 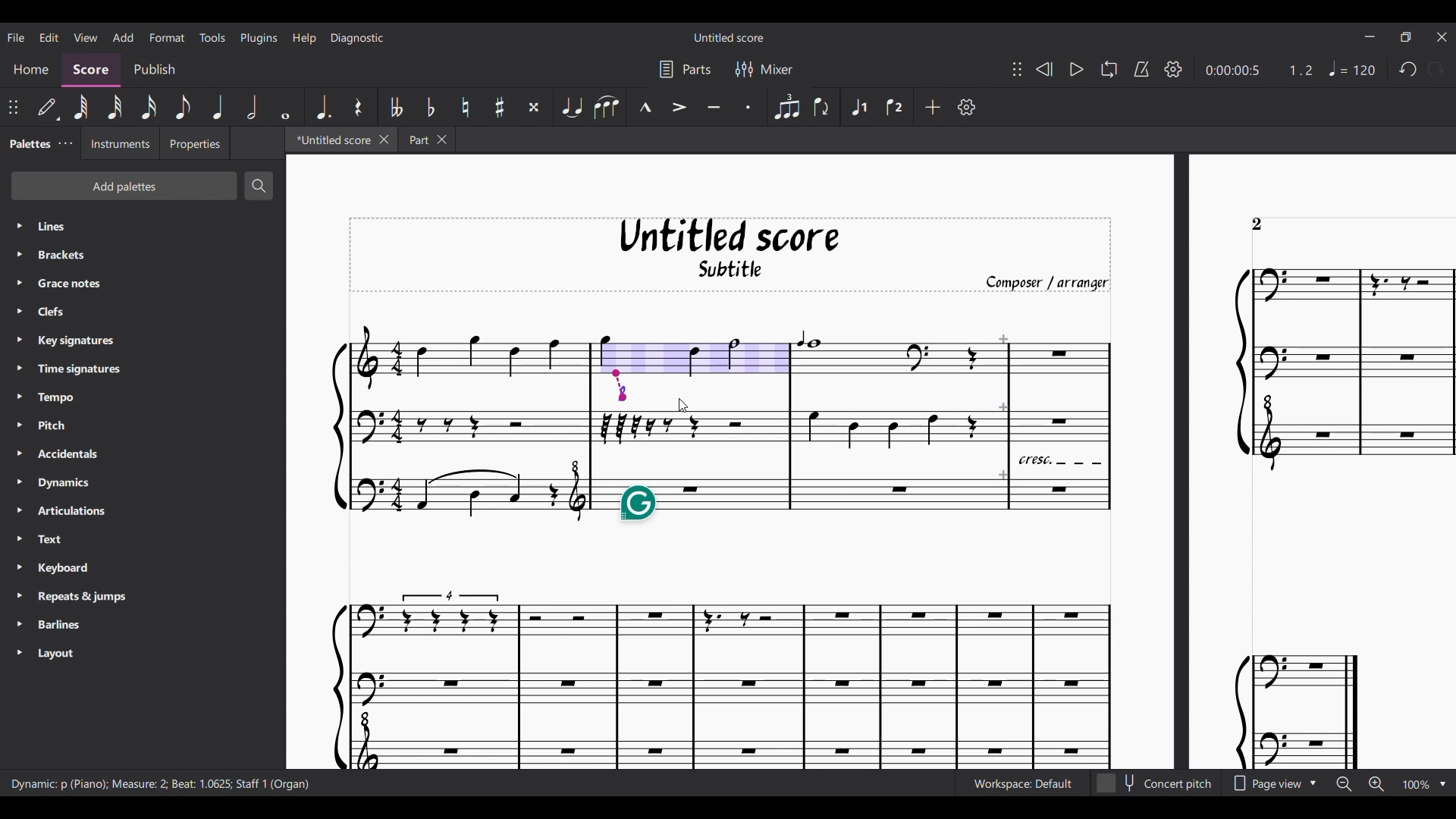 What do you see at coordinates (500, 107) in the screenshot?
I see `Toggle sharp` at bounding box center [500, 107].